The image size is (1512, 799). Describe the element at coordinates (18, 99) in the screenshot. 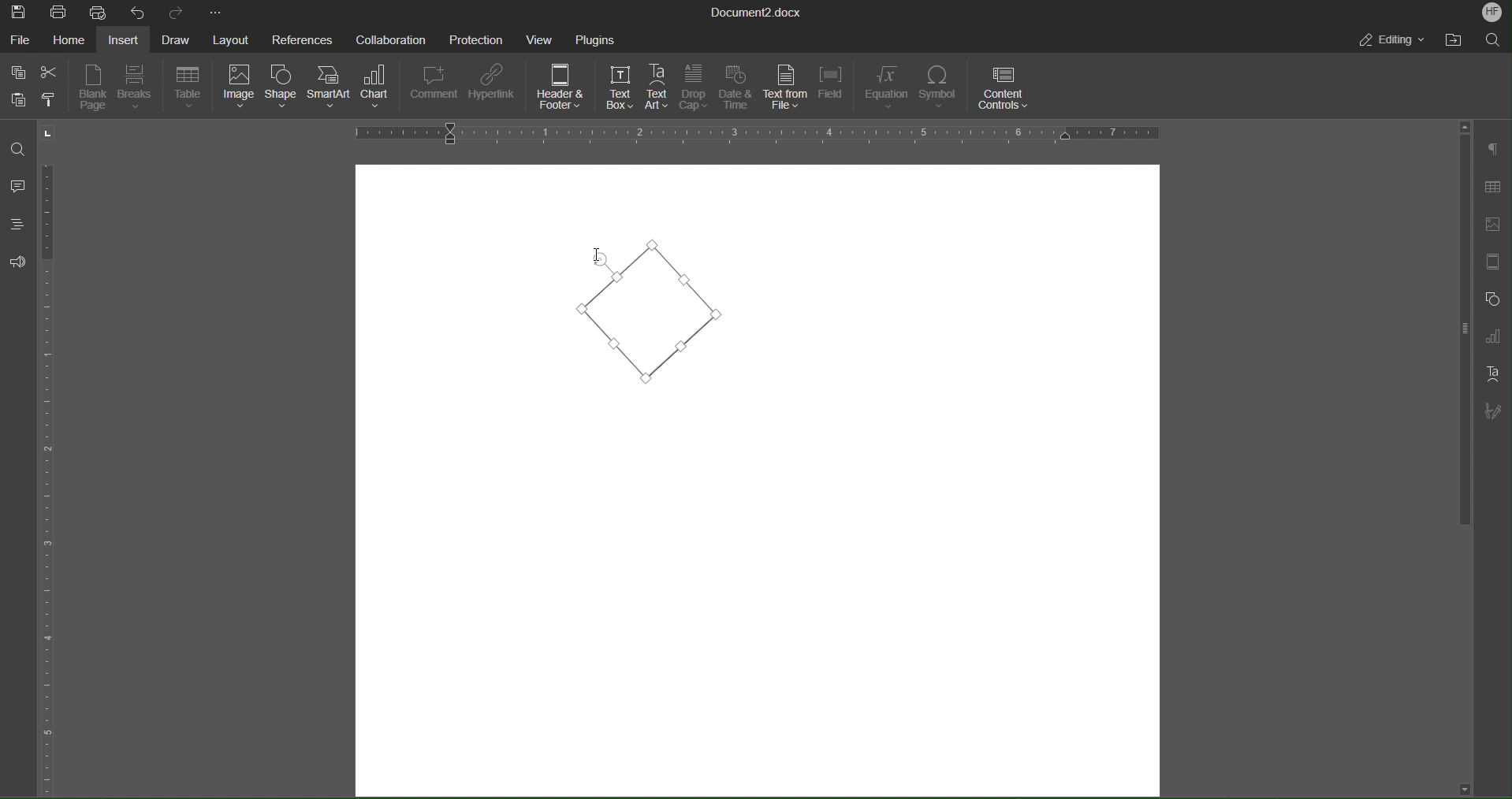

I see `Paste` at that location.